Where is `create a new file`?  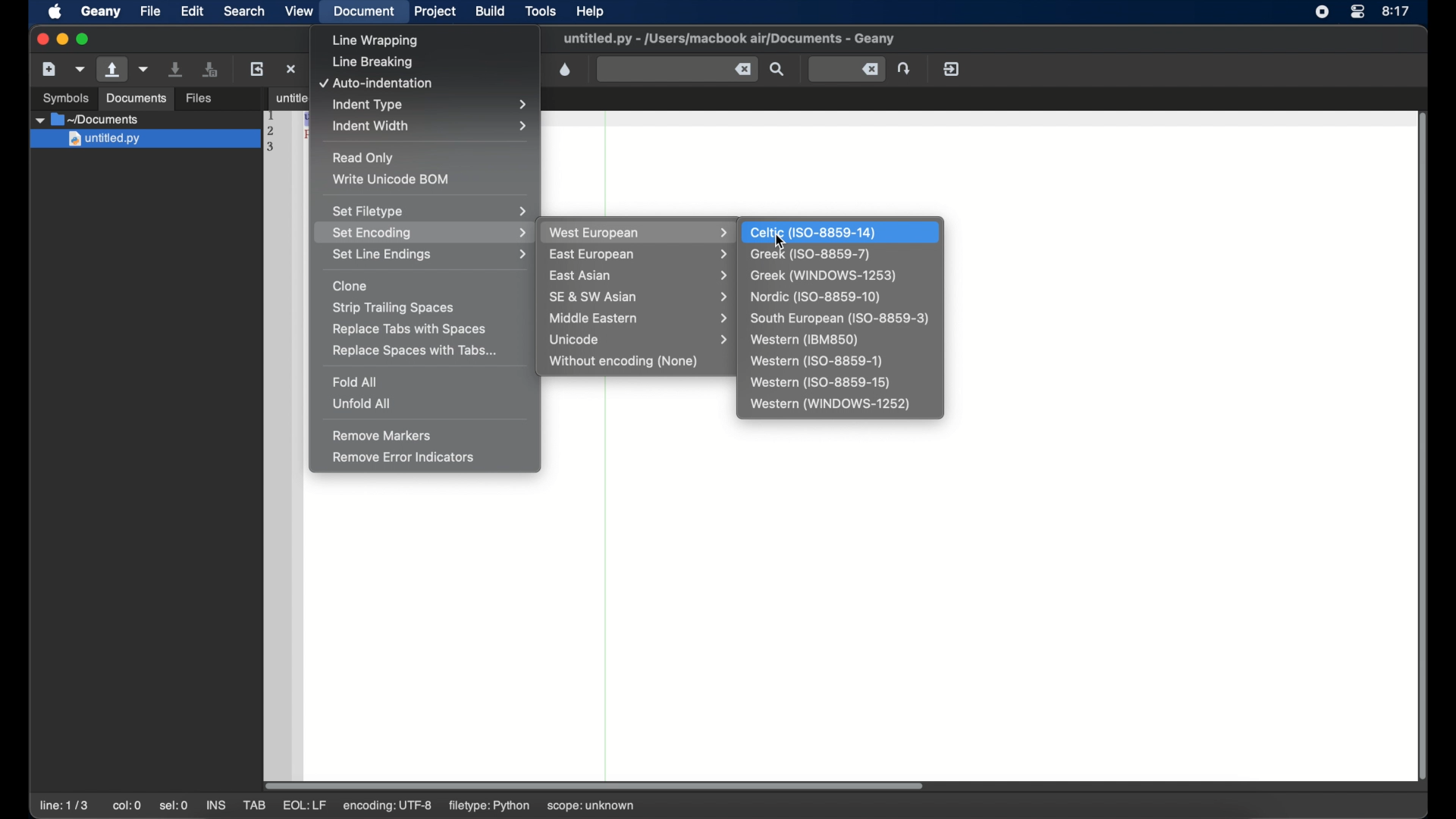 create a new file is located at coordinates (49, 69).